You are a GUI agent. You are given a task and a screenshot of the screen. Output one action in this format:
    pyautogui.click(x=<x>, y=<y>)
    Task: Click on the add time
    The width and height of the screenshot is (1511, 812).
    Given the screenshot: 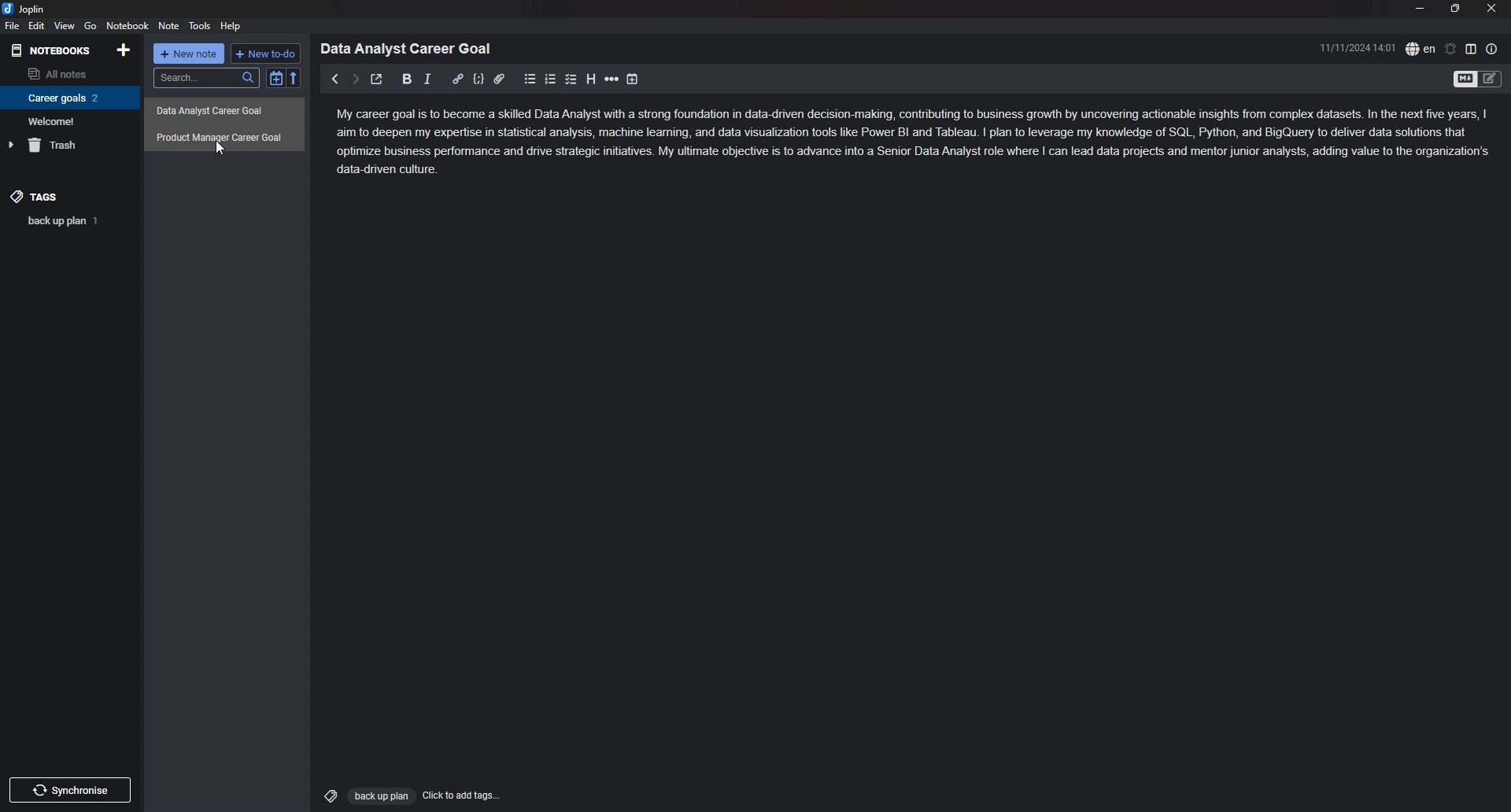 What is the action you would take?
    pyautogui.click(x=633, y=79)
    